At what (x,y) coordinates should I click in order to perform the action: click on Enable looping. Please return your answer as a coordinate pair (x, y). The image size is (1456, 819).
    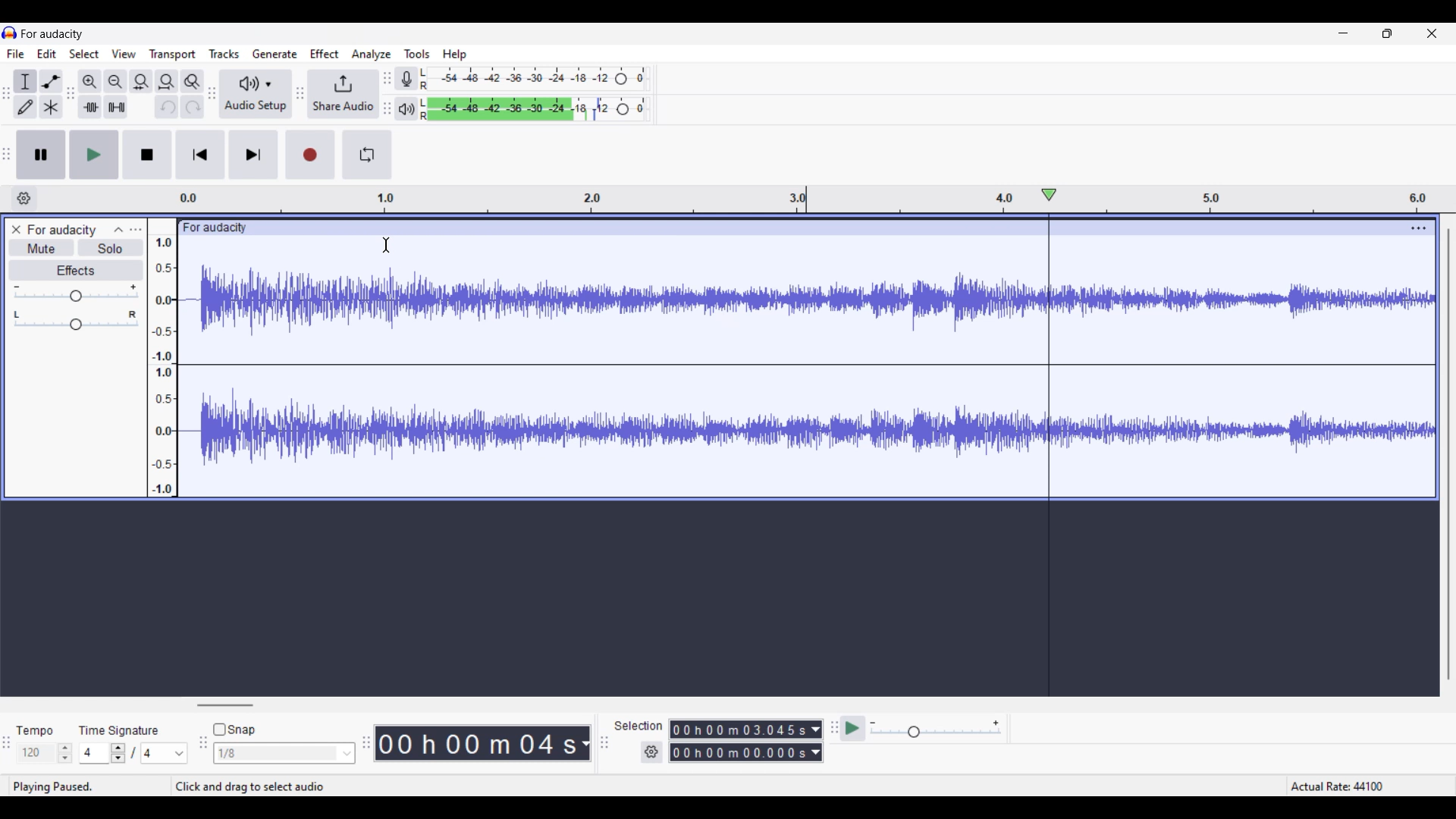
    Looking at the image, I should click on (367, 155).